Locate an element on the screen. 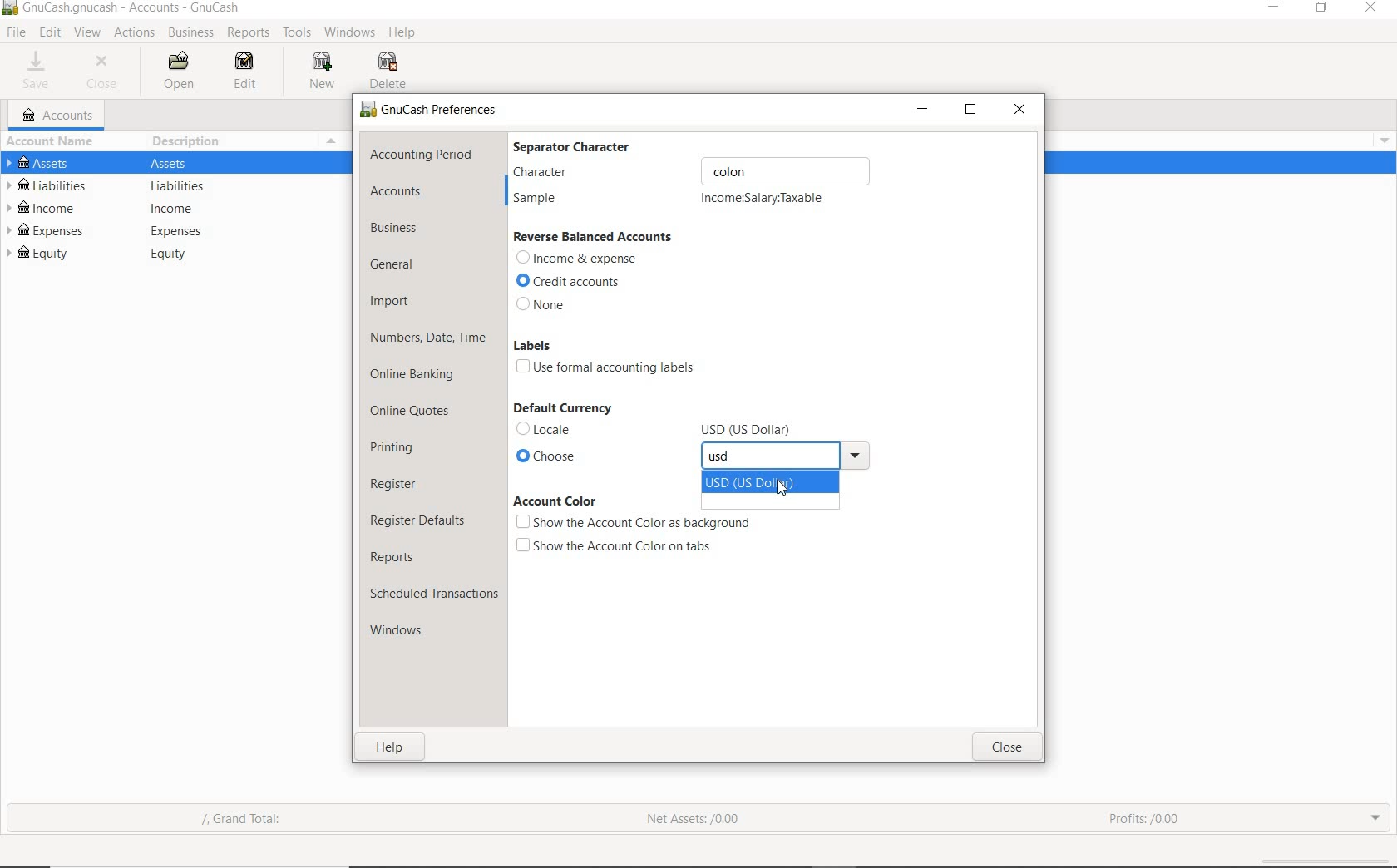   is located at coordinates (8, 11).